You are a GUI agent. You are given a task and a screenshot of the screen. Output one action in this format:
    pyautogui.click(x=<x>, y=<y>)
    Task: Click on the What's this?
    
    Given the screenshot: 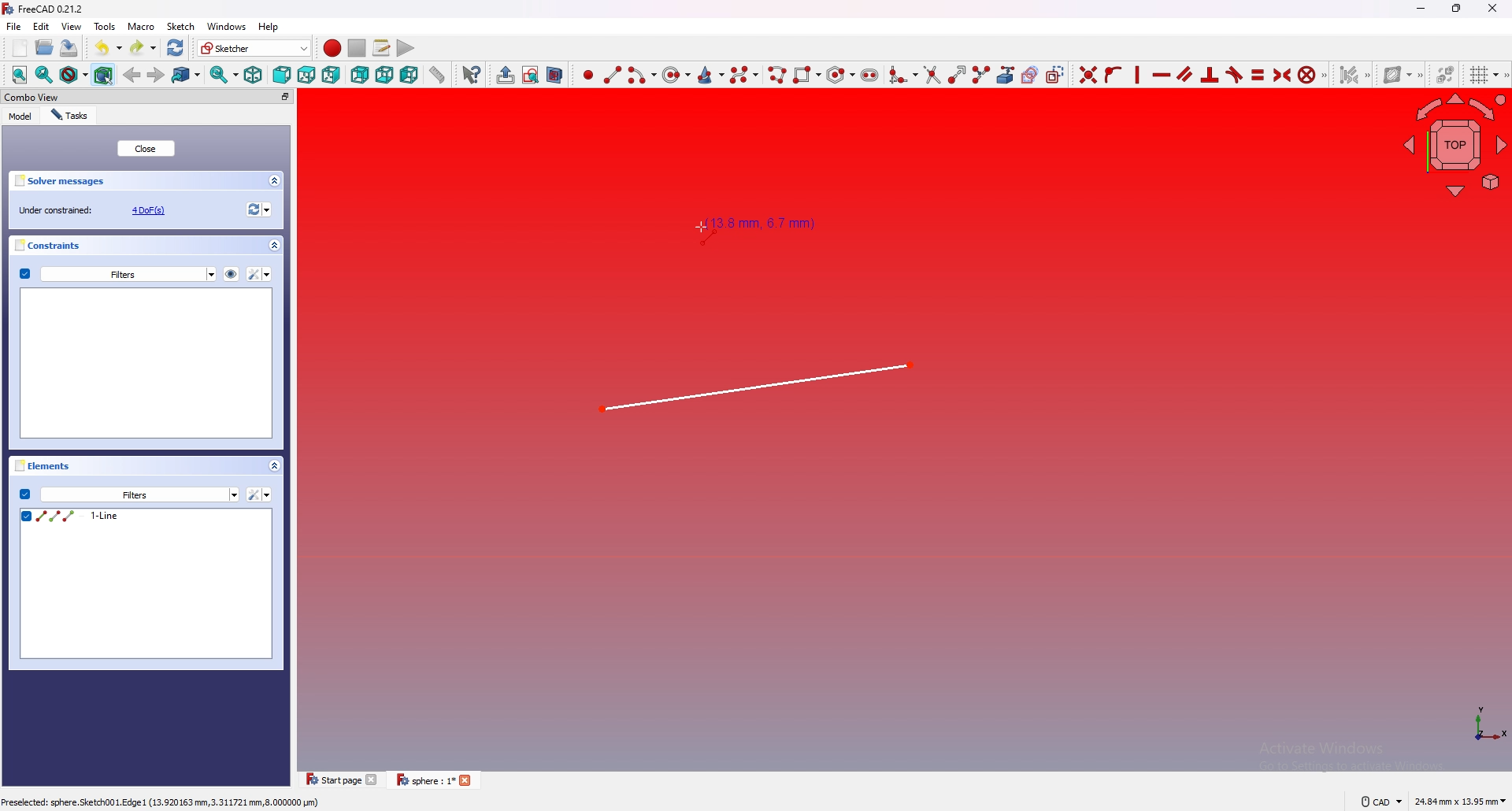 What is the action you would take?
    pyautogui.click(x=470, y=74)
    